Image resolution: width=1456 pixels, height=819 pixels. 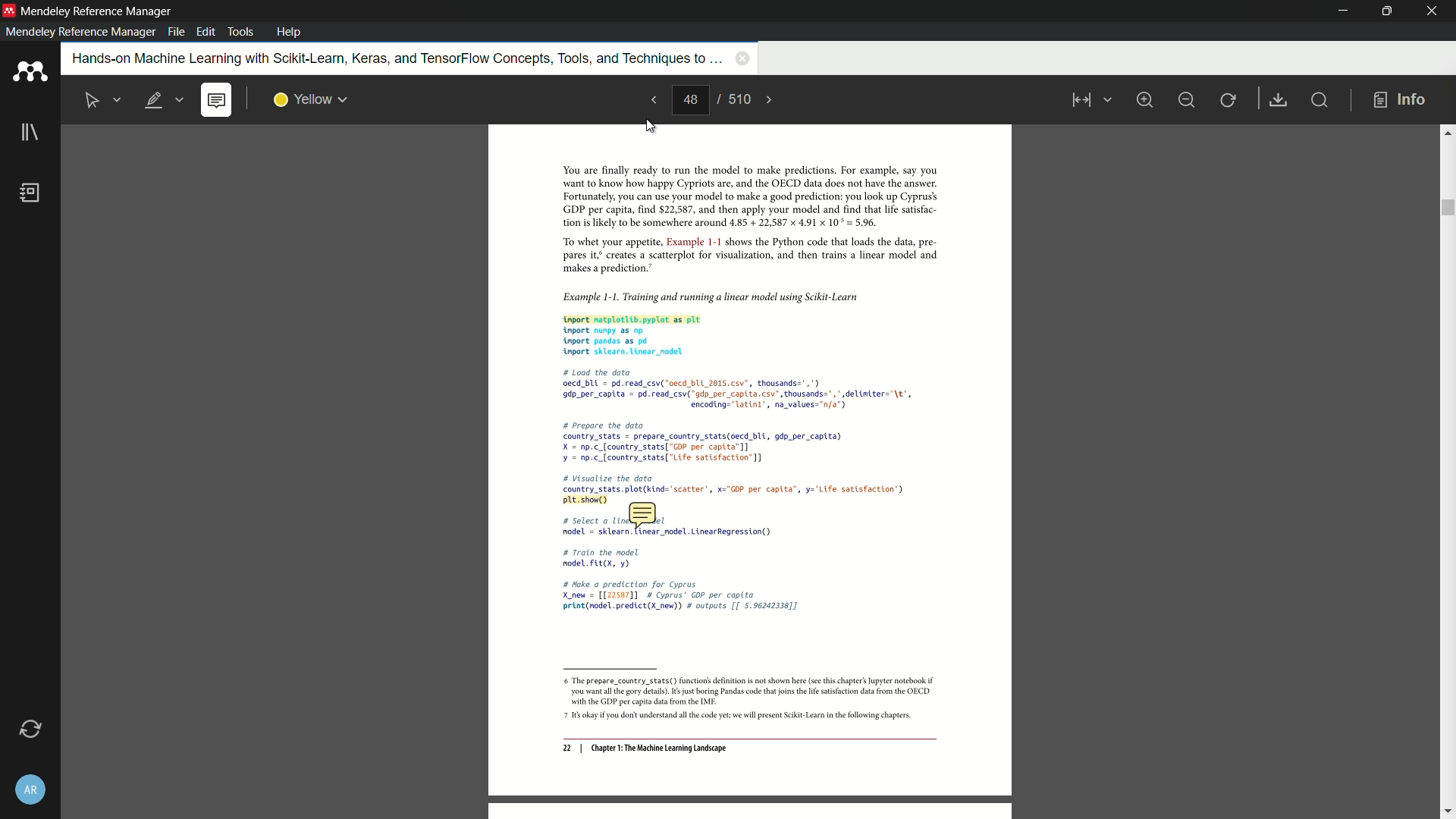 I want to click on You are finally ready to run the model to make predictions. For example, say you
want to know how happy Cypriots are, and the OECD data does not have the answer.
Fortunately, you can use your model to make a good prediction: you look up Cyprus’
GDP per capita, find $22,587, and then apply your model and find that life satsfac-
tion is likely to be somewhere around 4.85 + 22,587 x 4.91 x 10° = 5.96.

“To whet your appetite, Example 1-1 shows the Python code that loads the data, pre
pares it creates a scatterplot for visualization, and then trains a linear model and
‘makes a prediction.”, so click(x=741, y=220).